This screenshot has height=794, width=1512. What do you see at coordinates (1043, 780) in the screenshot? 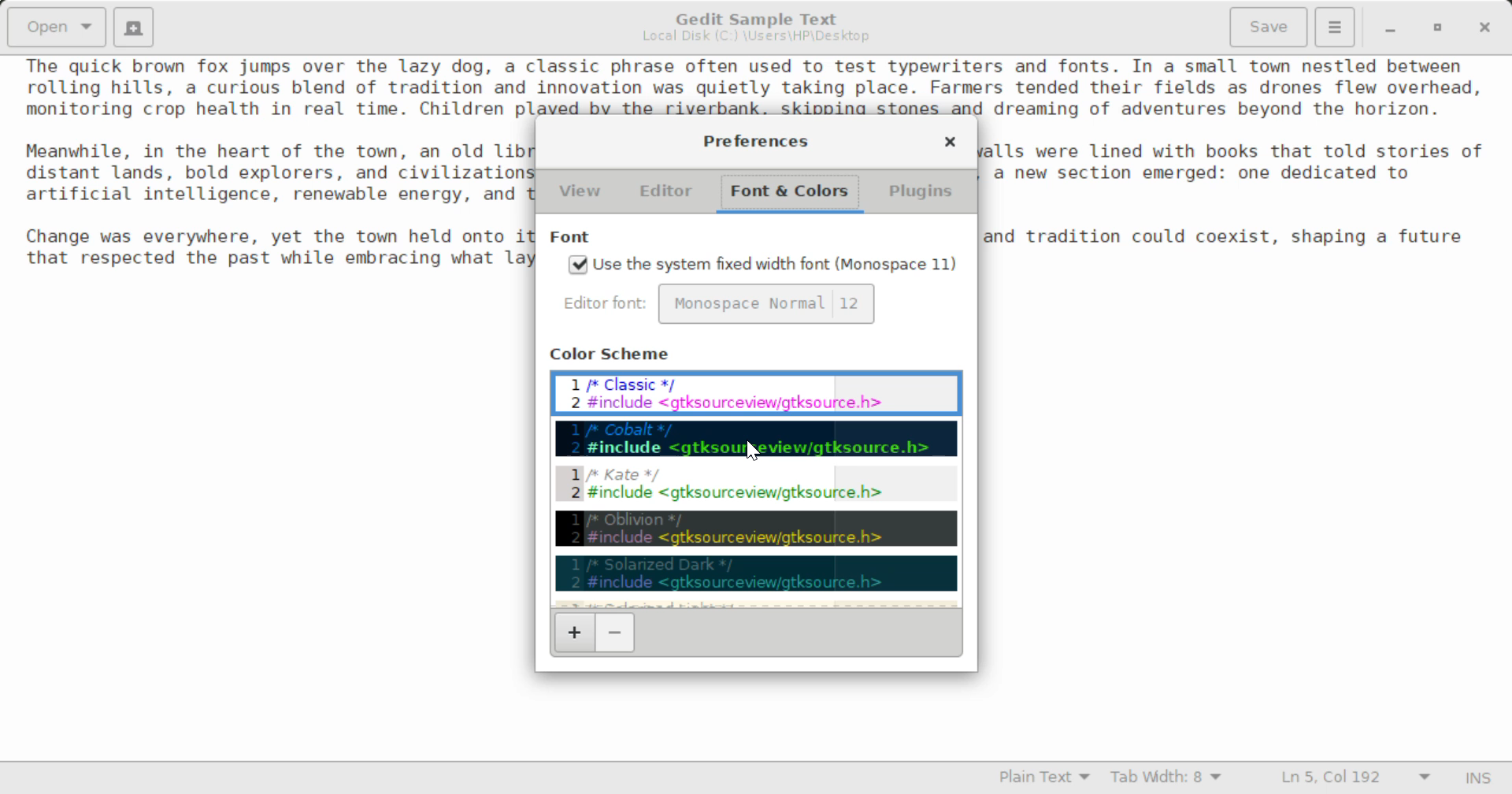
I see `Text Language` at bounding box center [1043, 780].